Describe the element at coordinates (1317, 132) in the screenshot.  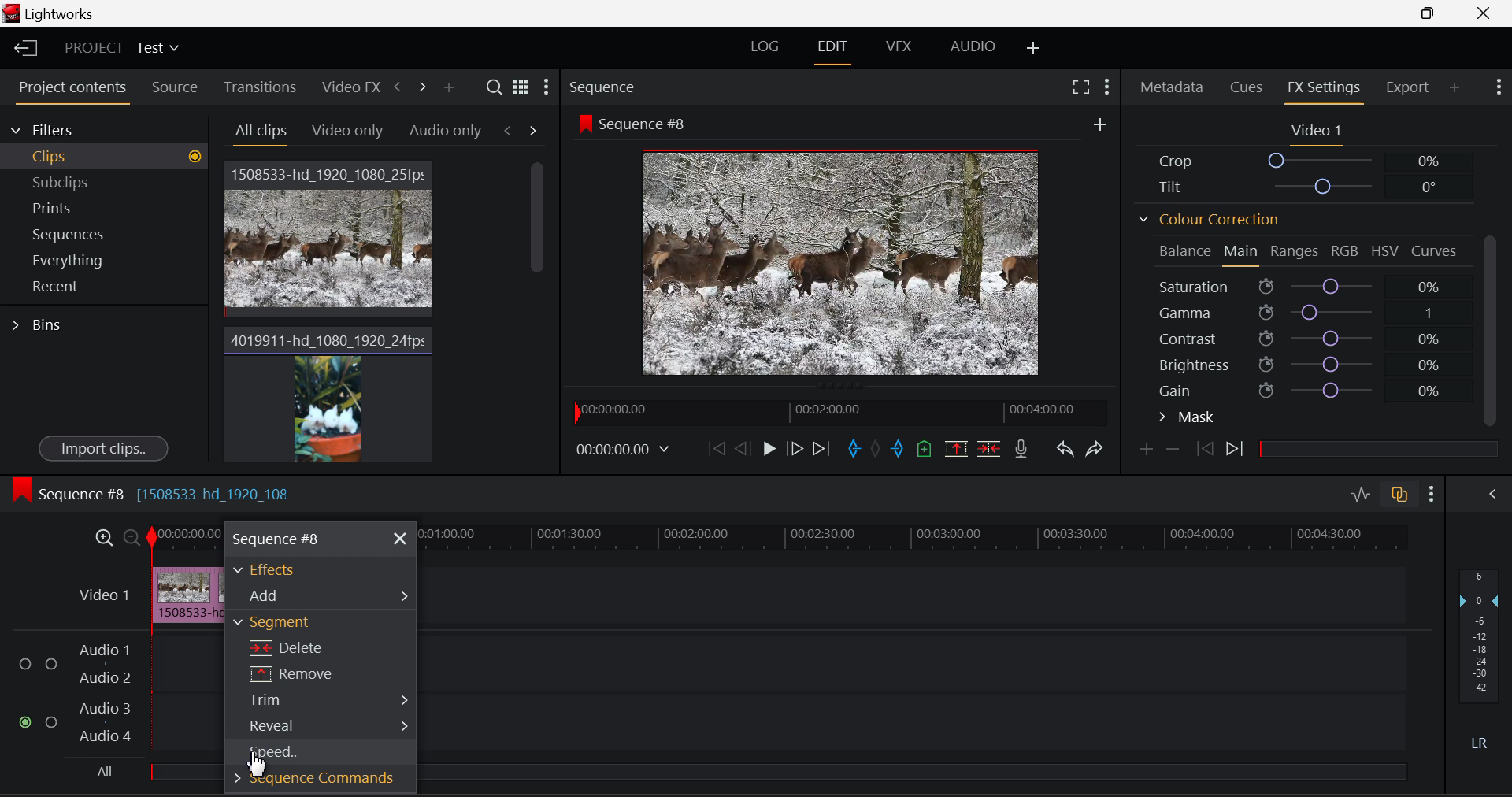
I see `Video 1 Settings` at that location.